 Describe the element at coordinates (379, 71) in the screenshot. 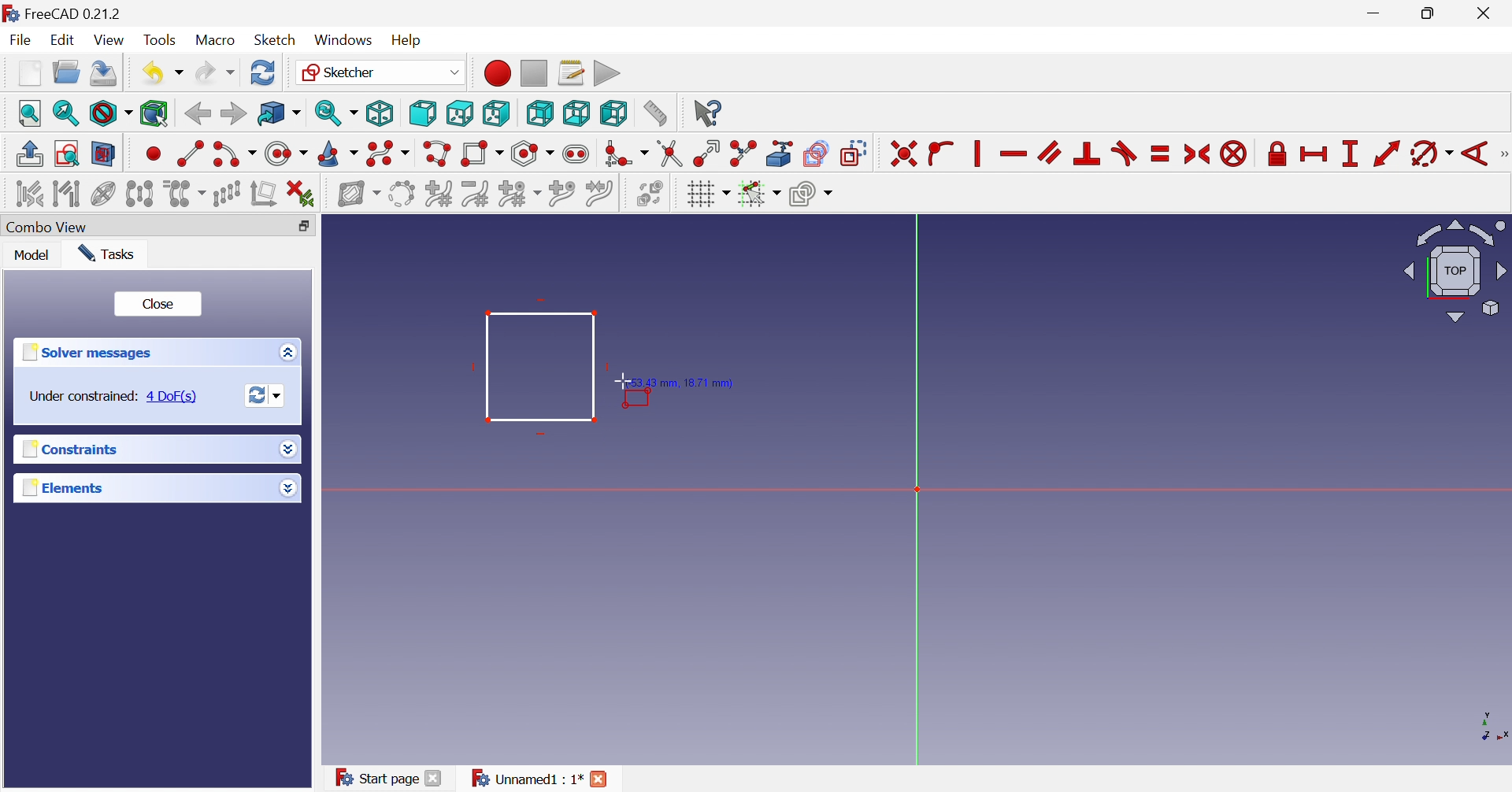

I see `Sketcher` at that location.